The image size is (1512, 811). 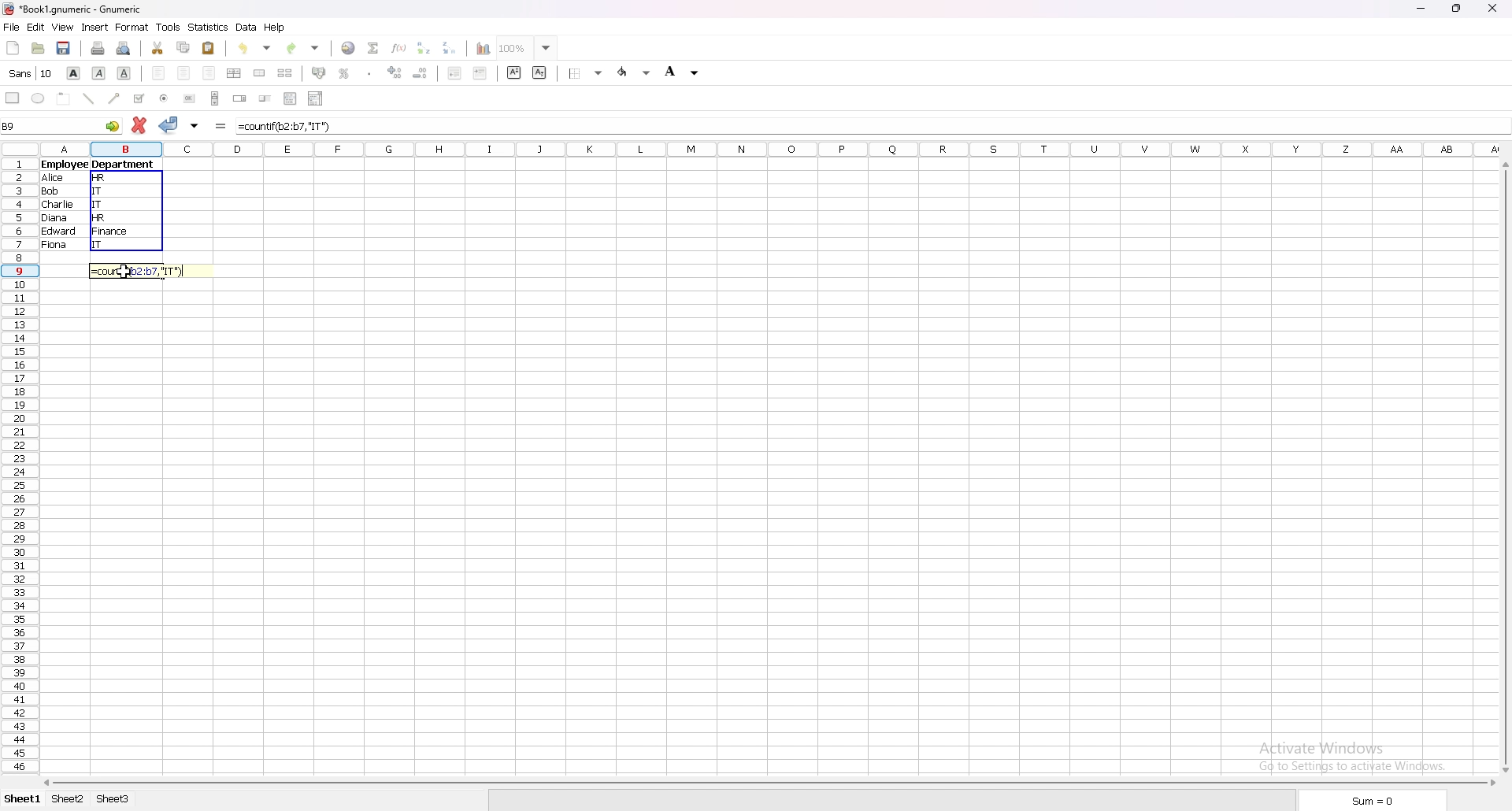 I want to click on spin button, so click(x=239, y=98).